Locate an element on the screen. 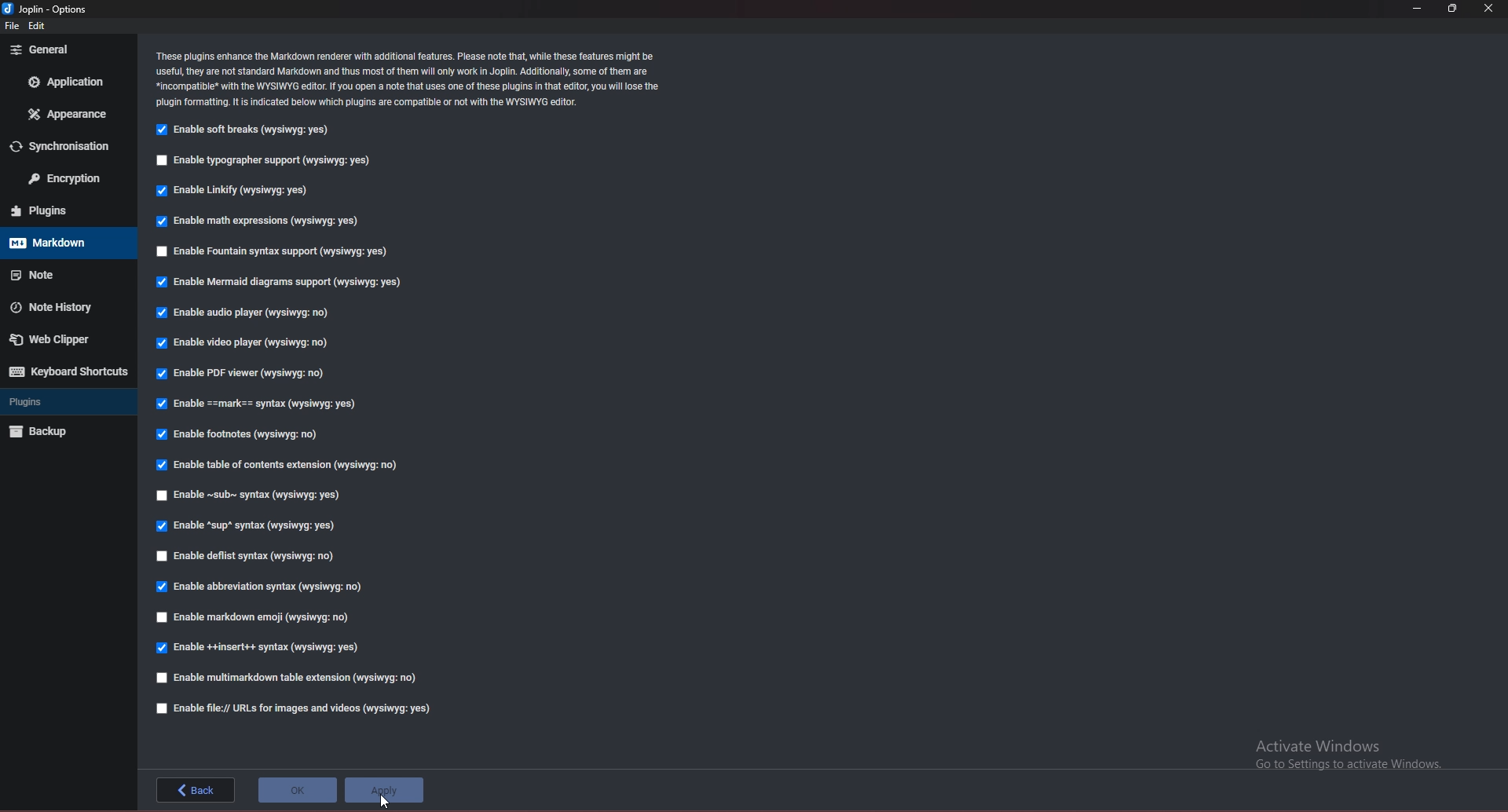  keyboard shortcuts is located at coordinates (66, 371).